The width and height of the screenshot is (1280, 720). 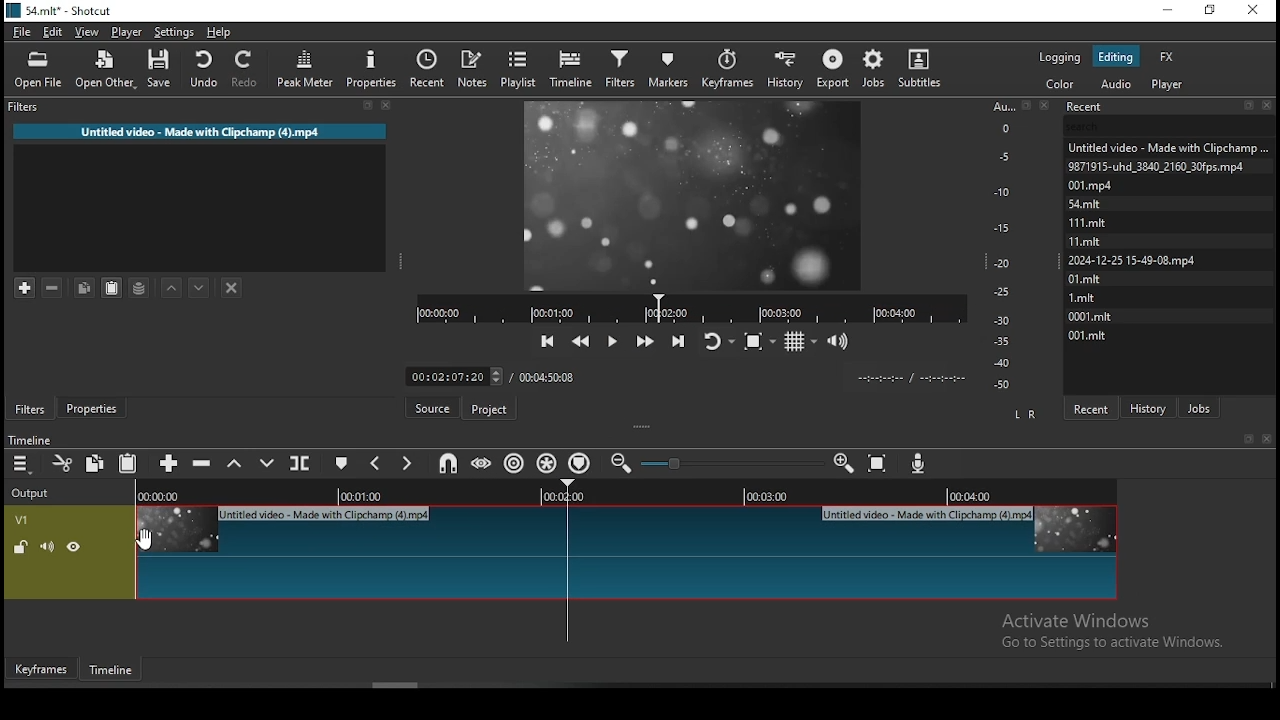 I want to click on volume control, so click(x=840, y=342).